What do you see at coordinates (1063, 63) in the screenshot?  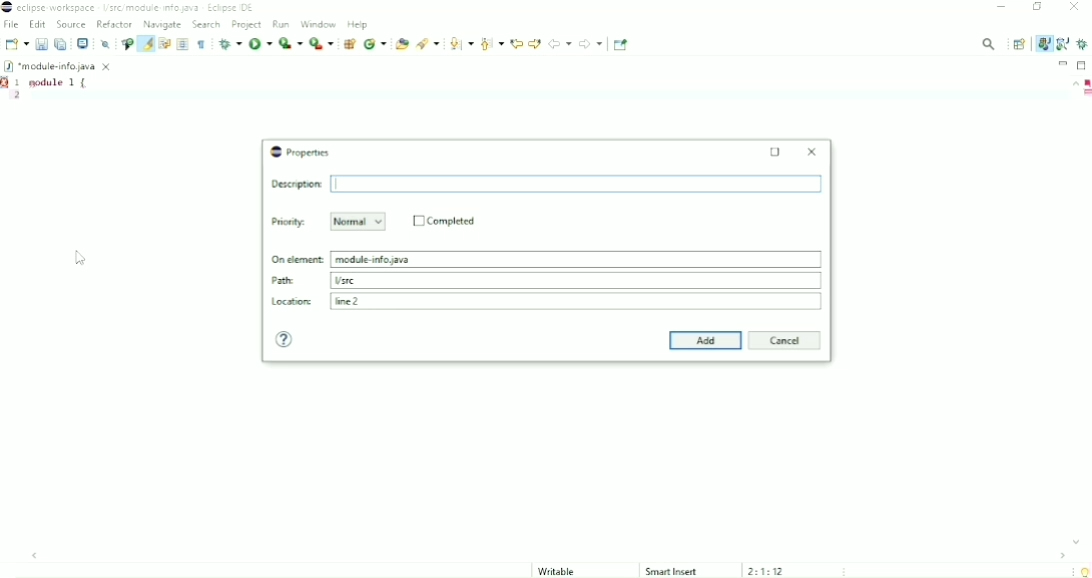 I see `Minimize` at bounding box center [1063, 63].